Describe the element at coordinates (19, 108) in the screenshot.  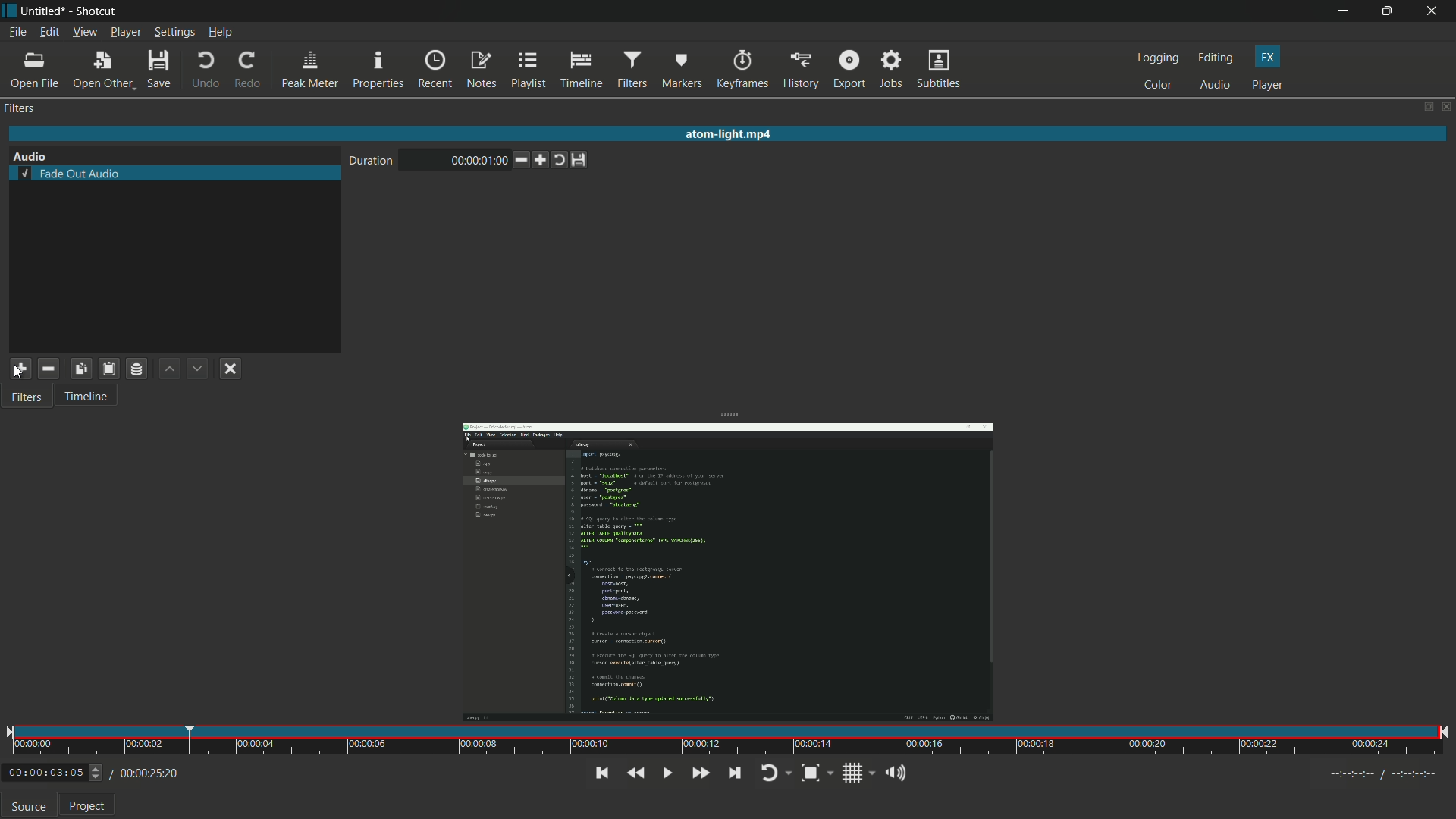
I see `filters` at that location.